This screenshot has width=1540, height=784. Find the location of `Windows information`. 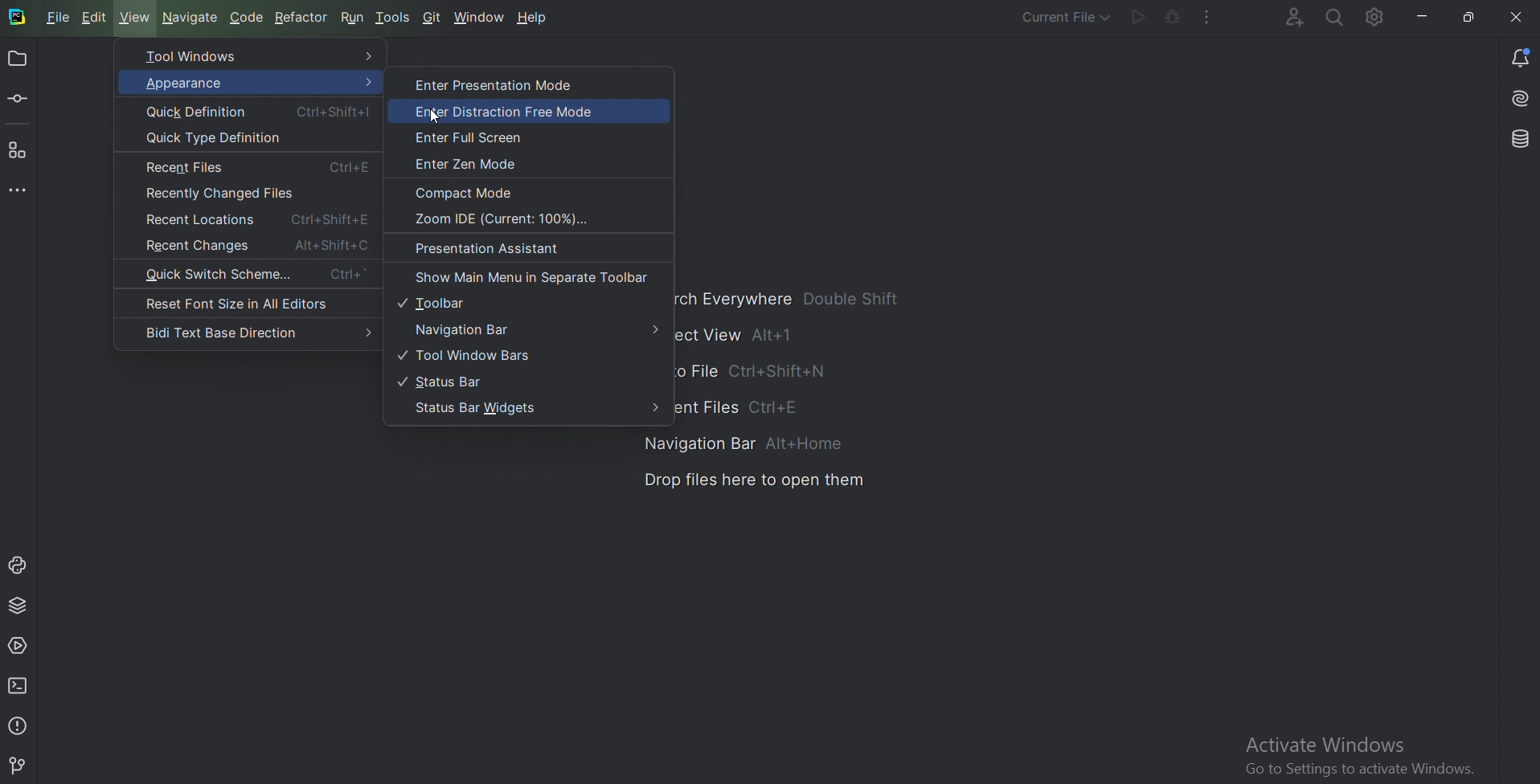

Windows information is located at coordinates (1368, 755).